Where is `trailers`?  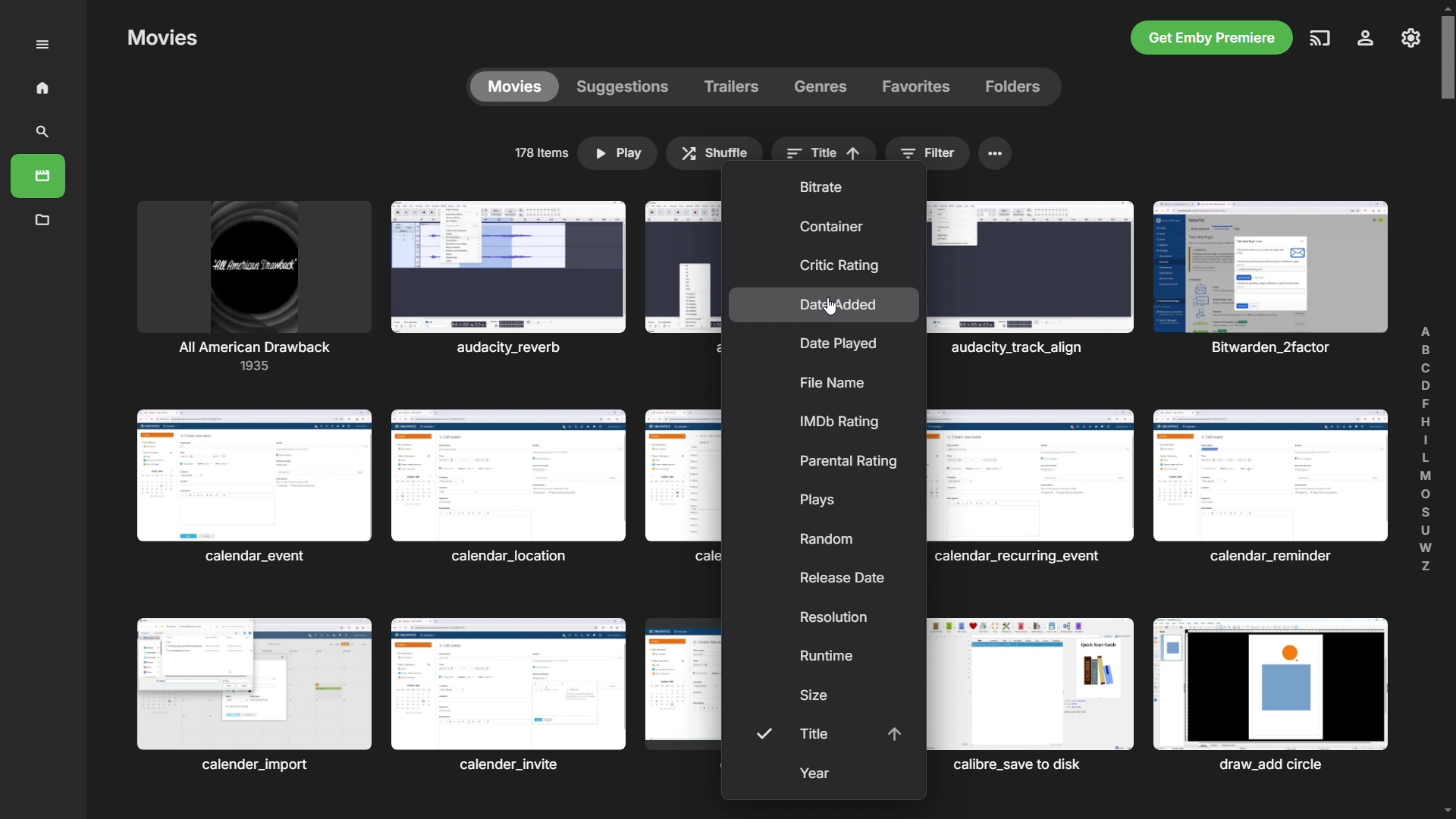
trailers is located at coordinates (736, 87).